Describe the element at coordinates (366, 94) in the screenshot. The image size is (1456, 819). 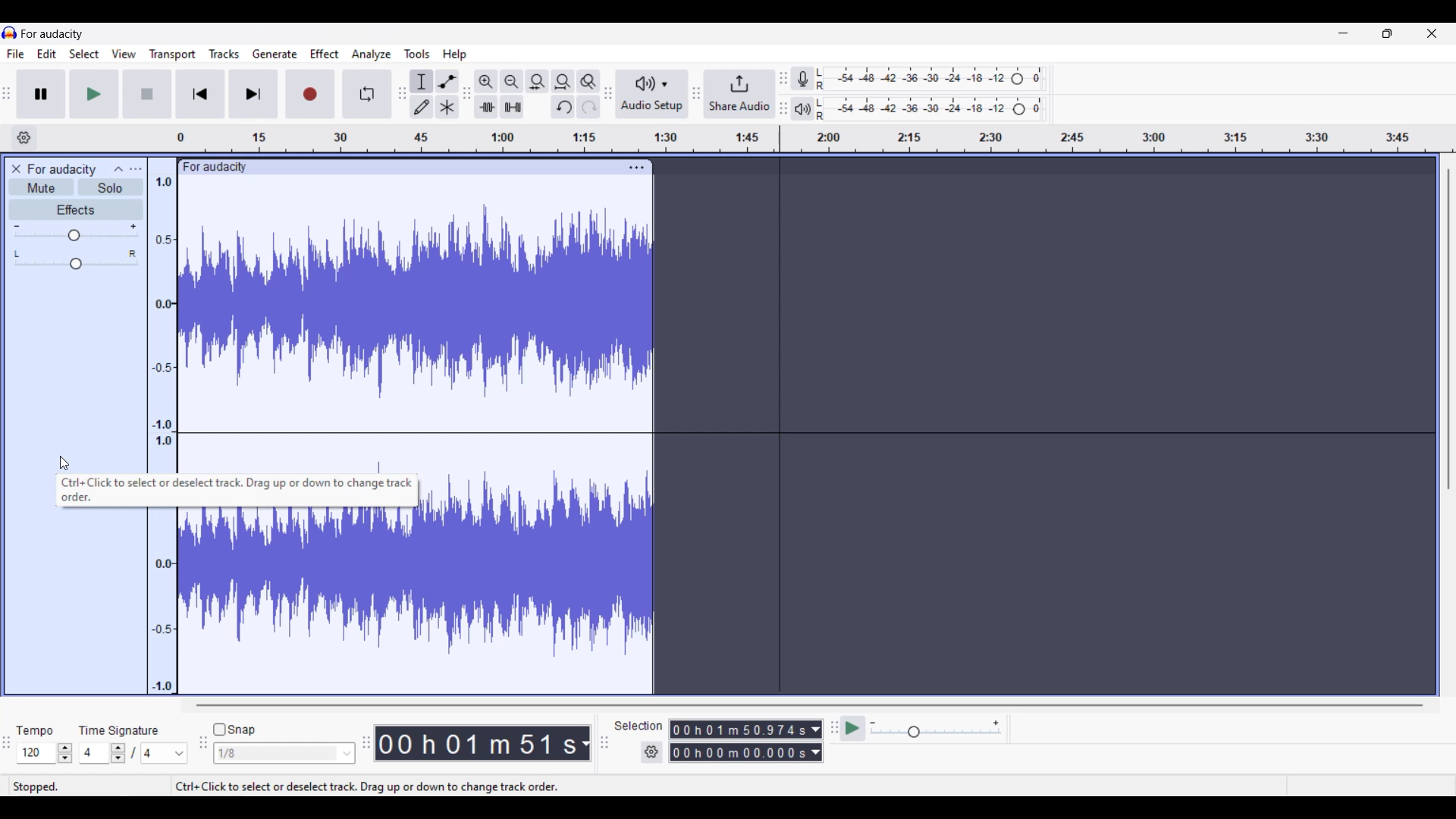
I see `Enable looping` at that location.